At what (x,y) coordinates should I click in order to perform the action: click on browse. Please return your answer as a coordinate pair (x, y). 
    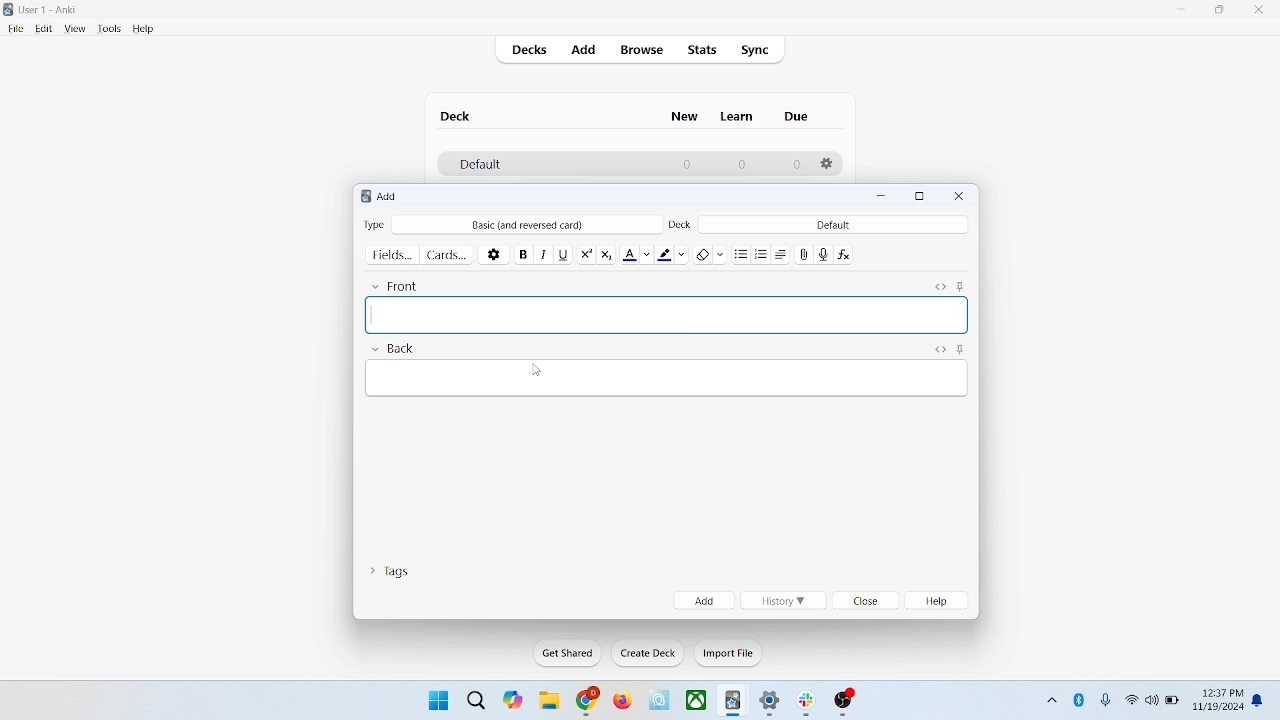
    Looking at the image, I should click on (640, 49).